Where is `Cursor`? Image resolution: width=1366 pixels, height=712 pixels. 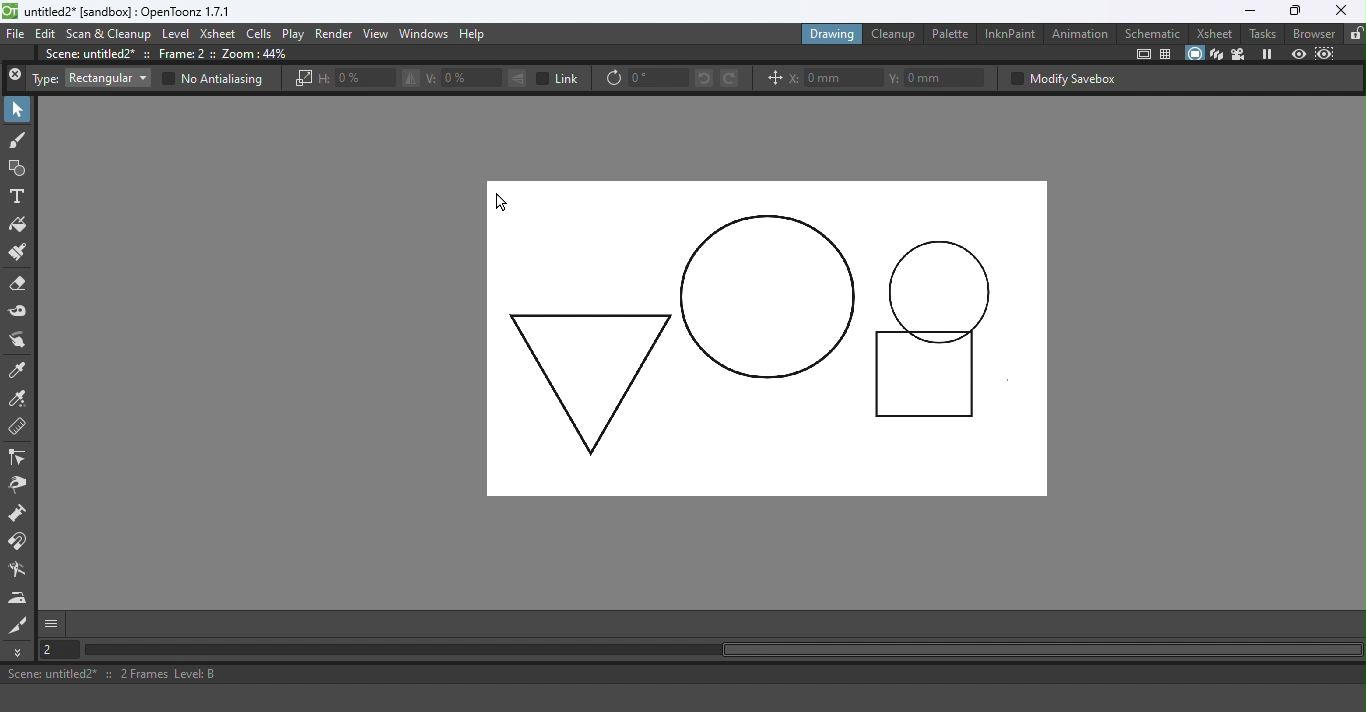
Cursor is located at coordinates (507, 199).